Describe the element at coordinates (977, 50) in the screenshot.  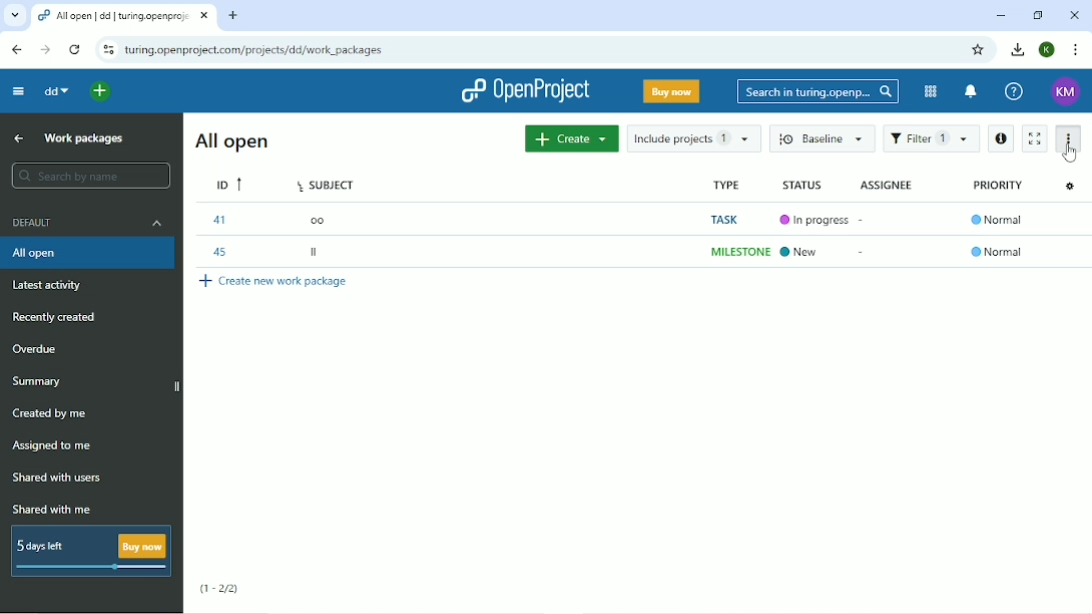
I see `Bookmark this tab` at that location.